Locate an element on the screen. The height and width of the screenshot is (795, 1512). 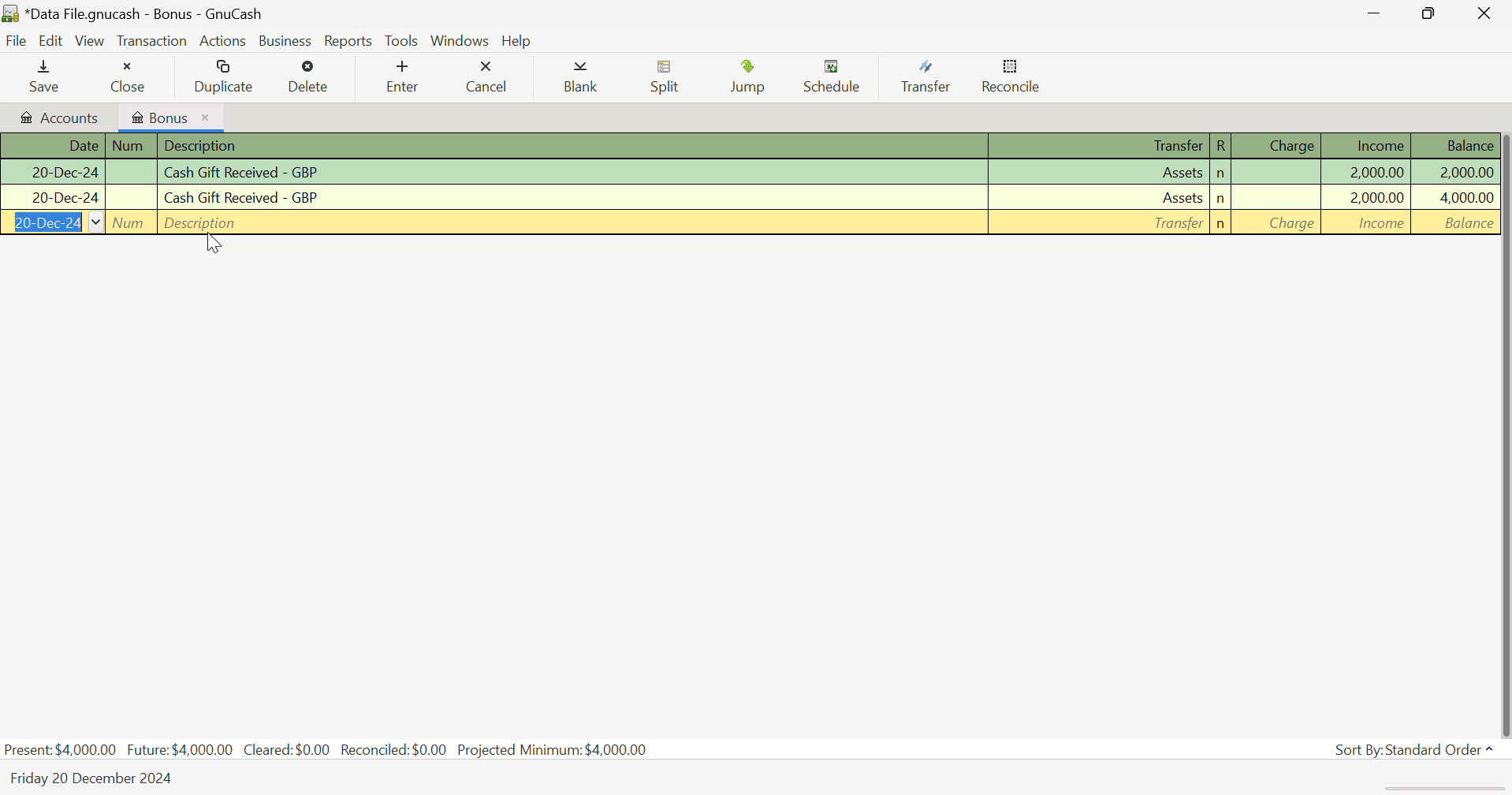
Duplicate is located at coordinates (225, 76).